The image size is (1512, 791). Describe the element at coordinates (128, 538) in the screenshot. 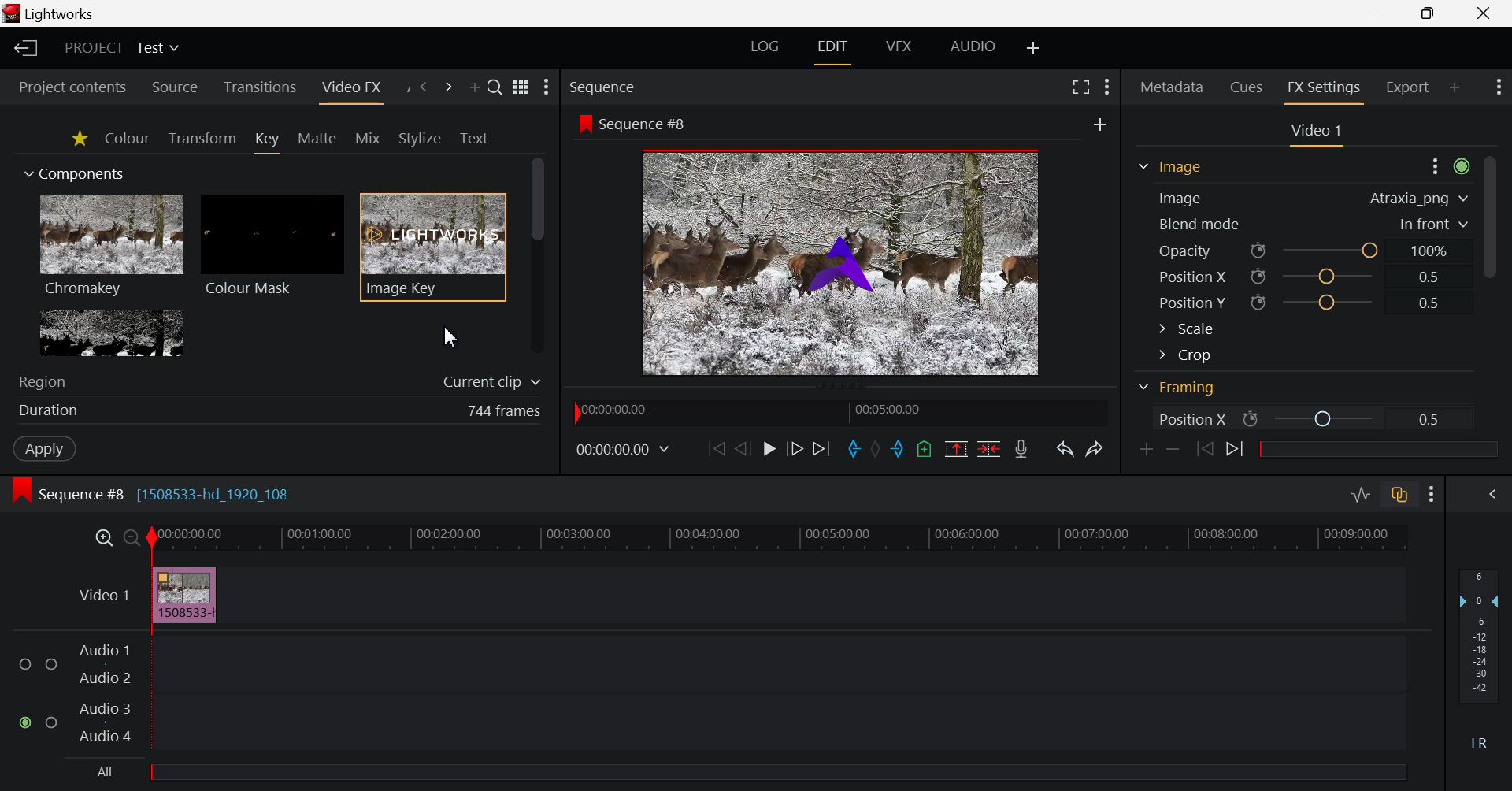

I see `Timeline Zoom Out` at that location.